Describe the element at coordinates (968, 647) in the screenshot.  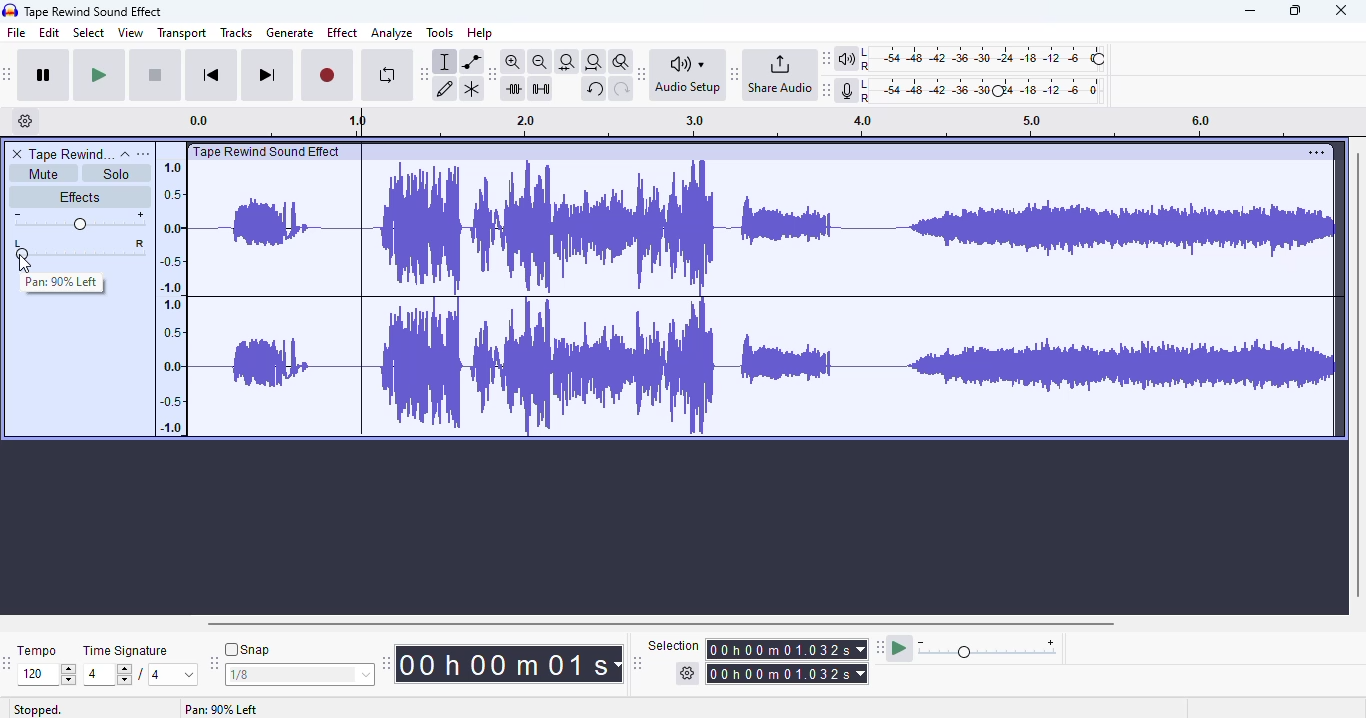
I see `audacity play-at-speed toolbar` at that location.